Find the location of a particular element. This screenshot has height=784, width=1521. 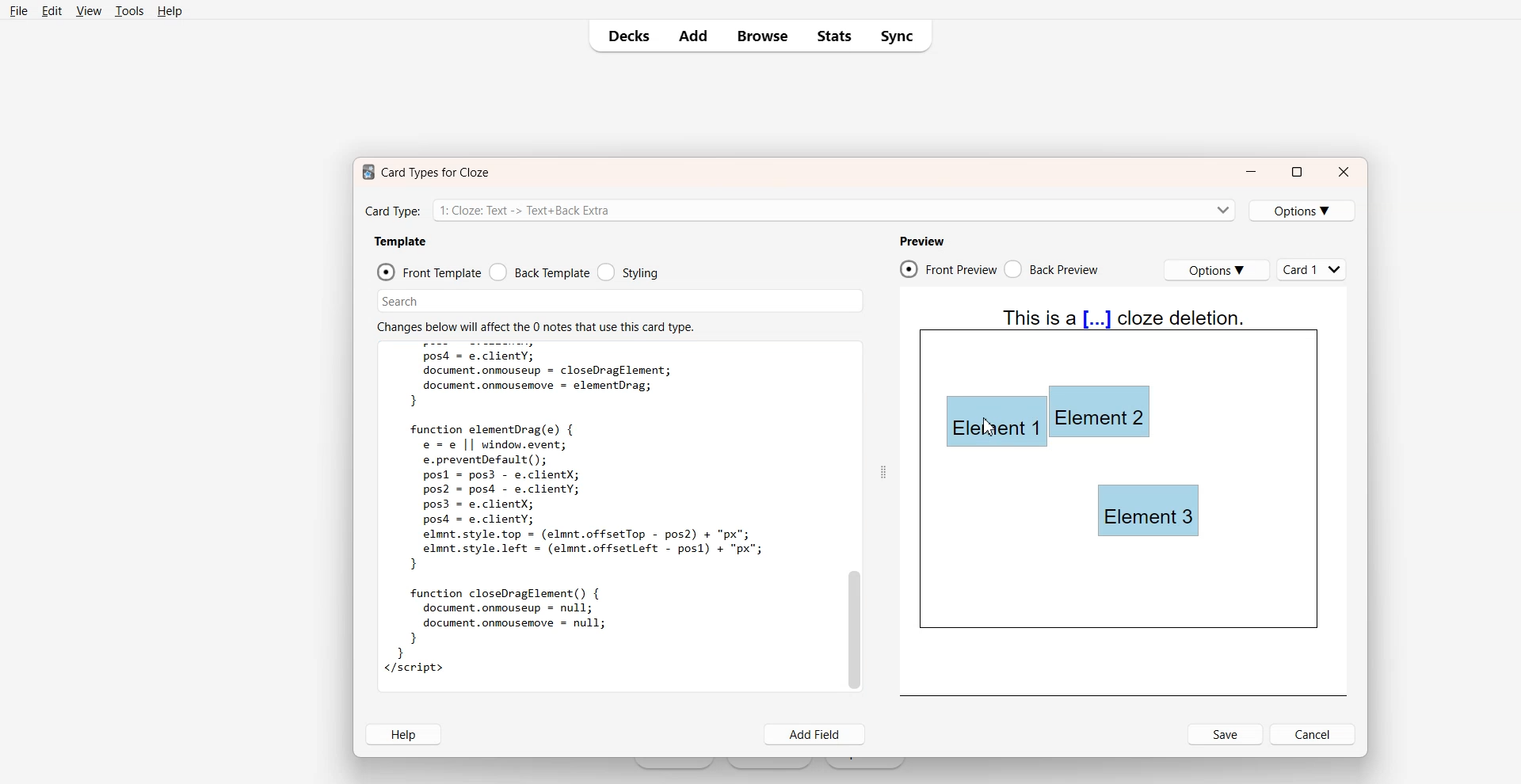

Text 4 is located at coordinates (1125, 326).